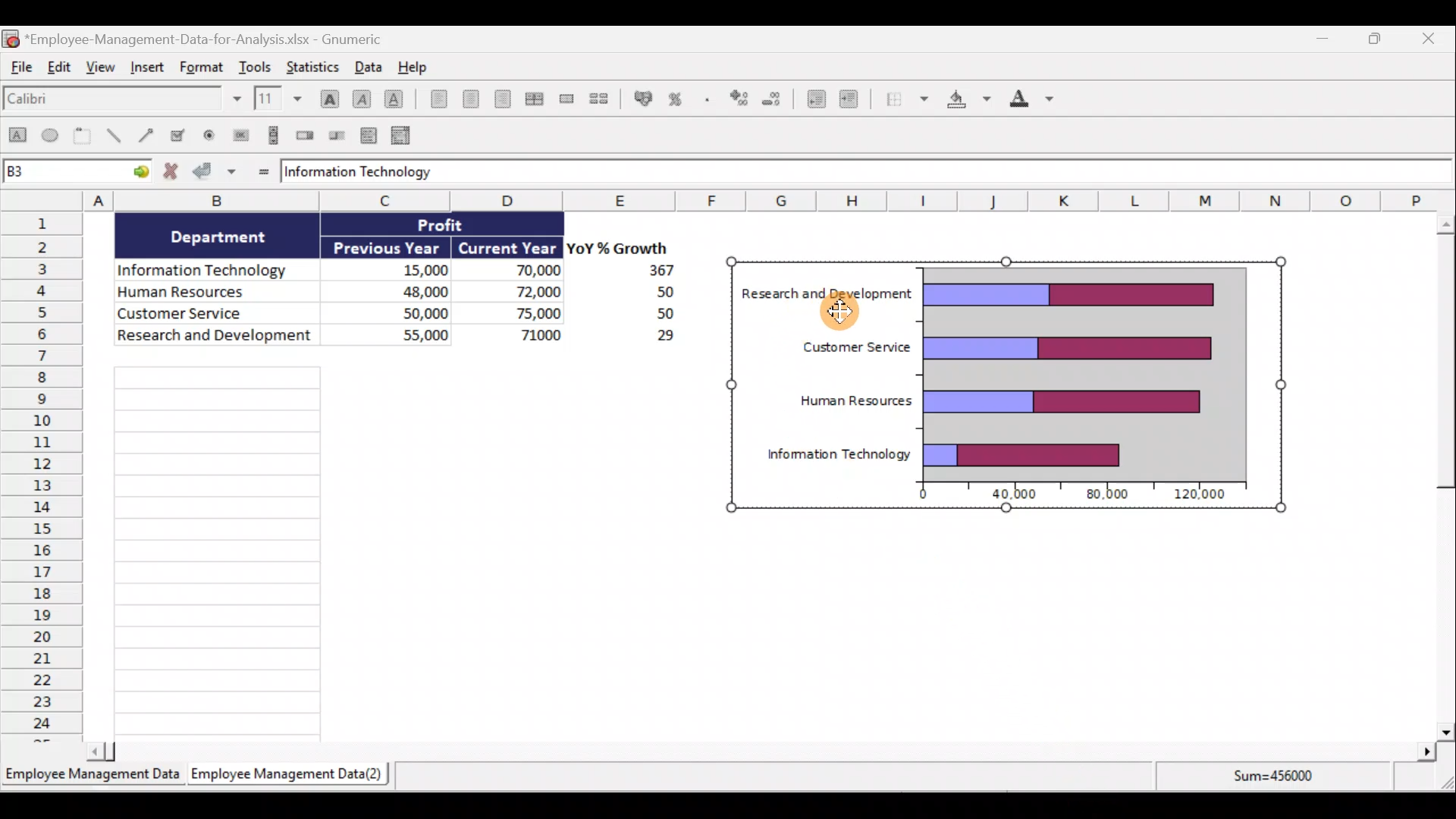 Image resolution: width=1456 pixels, height=819 pixels. What do you see at coordinates (1038, 100) in the screenshot?
I see `Foreground` at bounding box center [1038, 100].